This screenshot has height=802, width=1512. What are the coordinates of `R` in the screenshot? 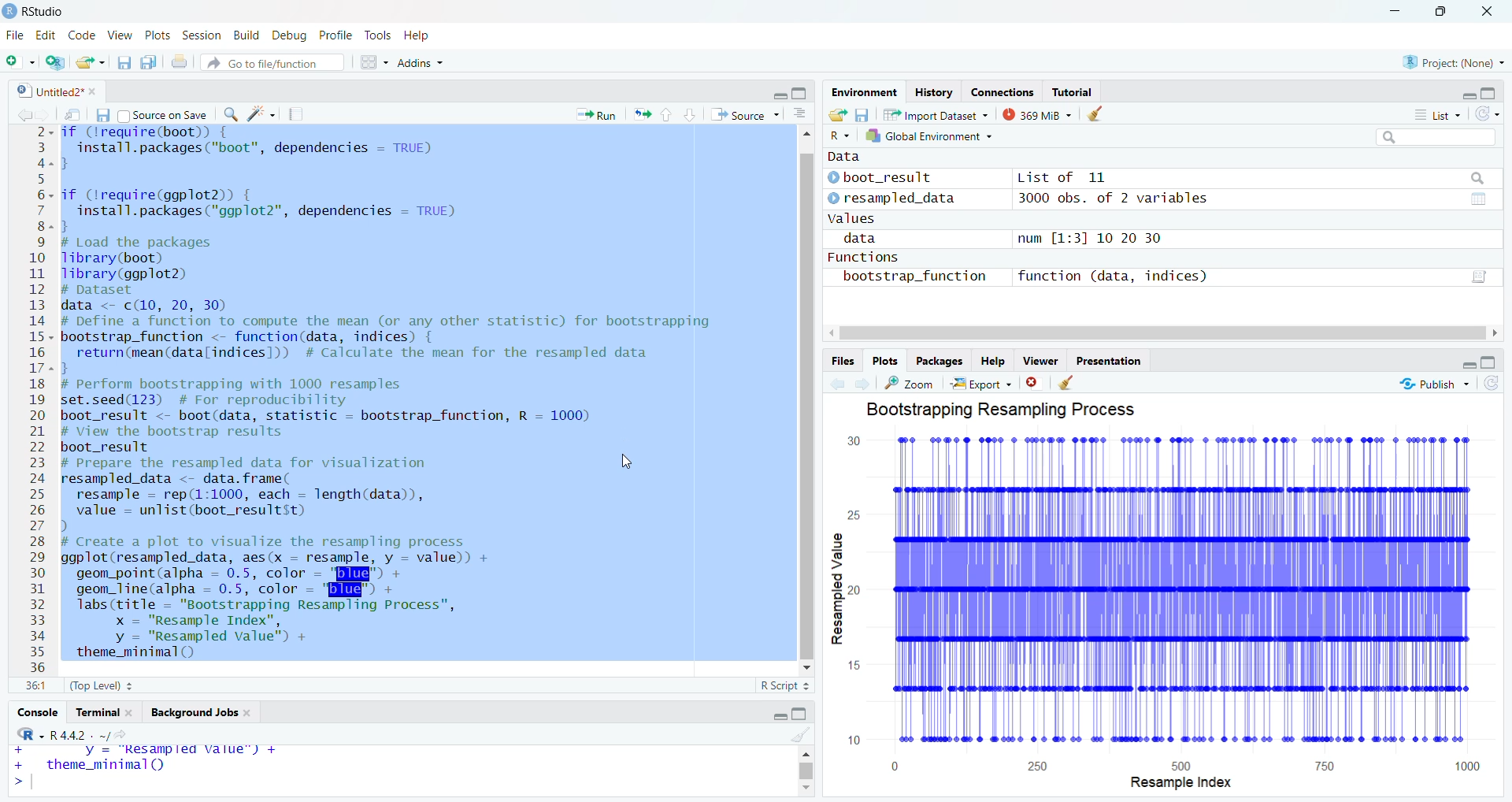 It's located at (839, 136).